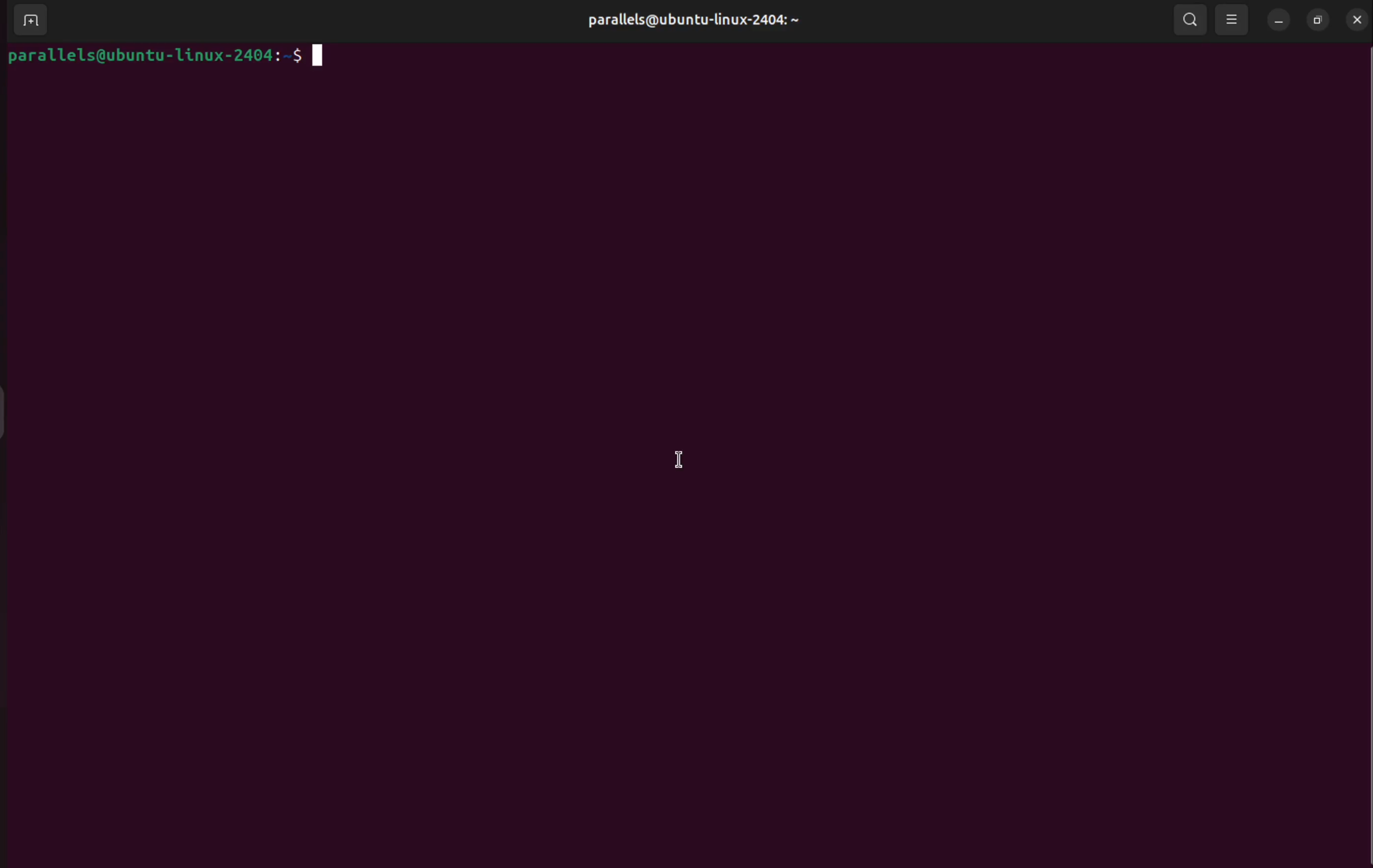 The width and height of the screenshot is (1373, 868). Describe the element at coordinates (1279, 20) in the screenshot. I see `minimize` at that location.